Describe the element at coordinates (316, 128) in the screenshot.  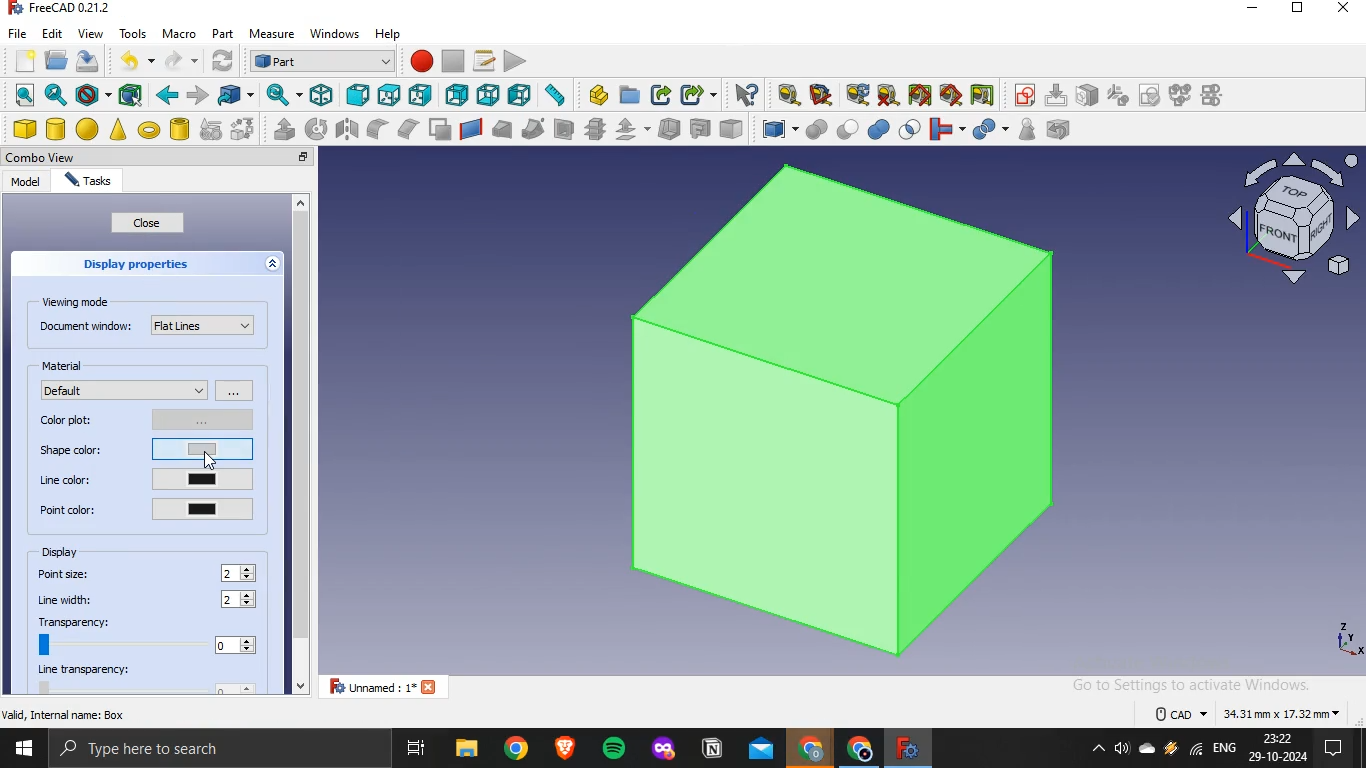
I see `revolve` at that location.